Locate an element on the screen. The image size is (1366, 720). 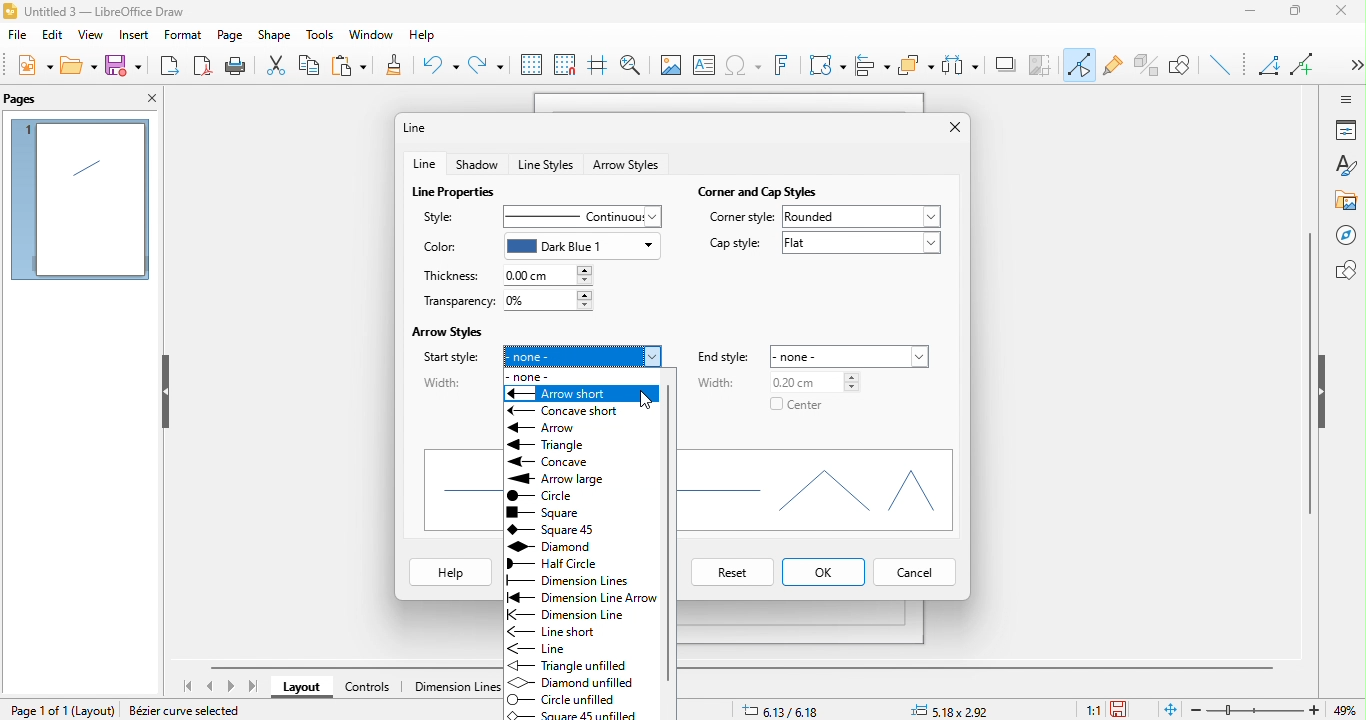
dimension line is located at coordinates (450, 688).